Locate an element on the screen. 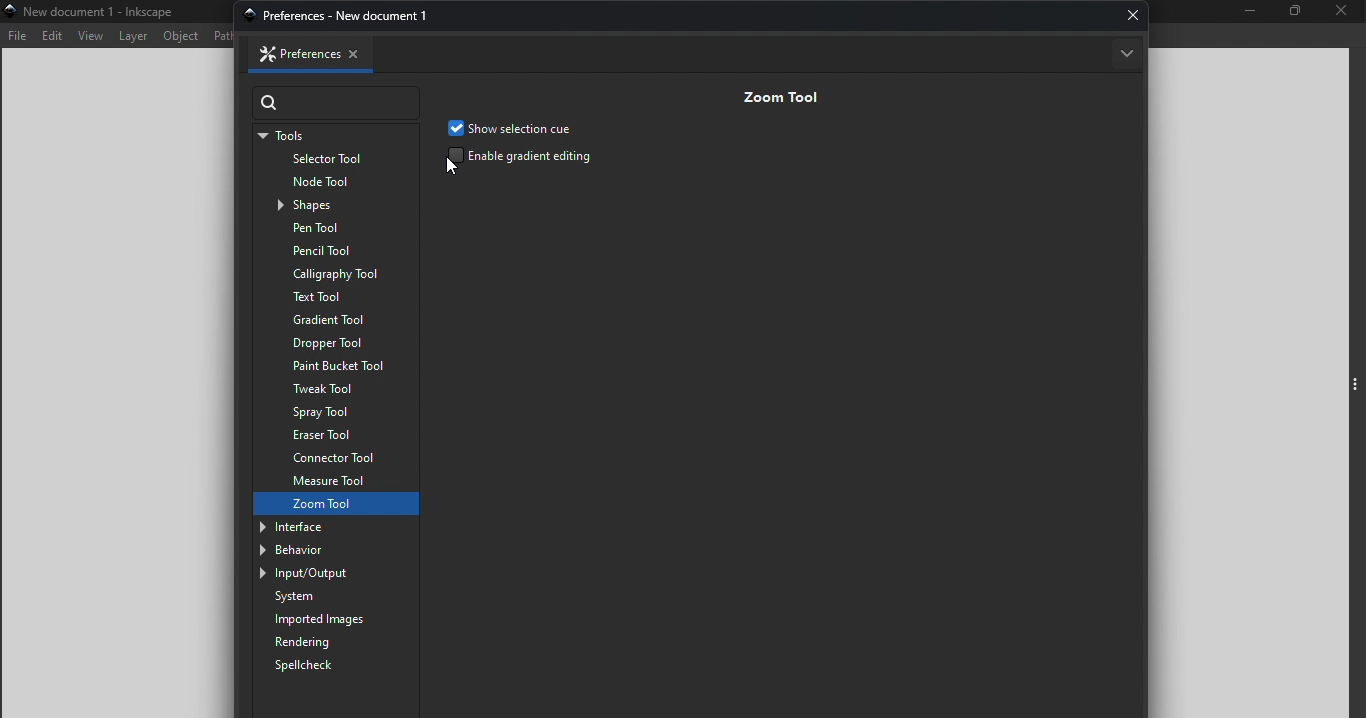 The height and width of the screenshot is (718, 1366). Spellcheck is located at coordinates (324, 667).